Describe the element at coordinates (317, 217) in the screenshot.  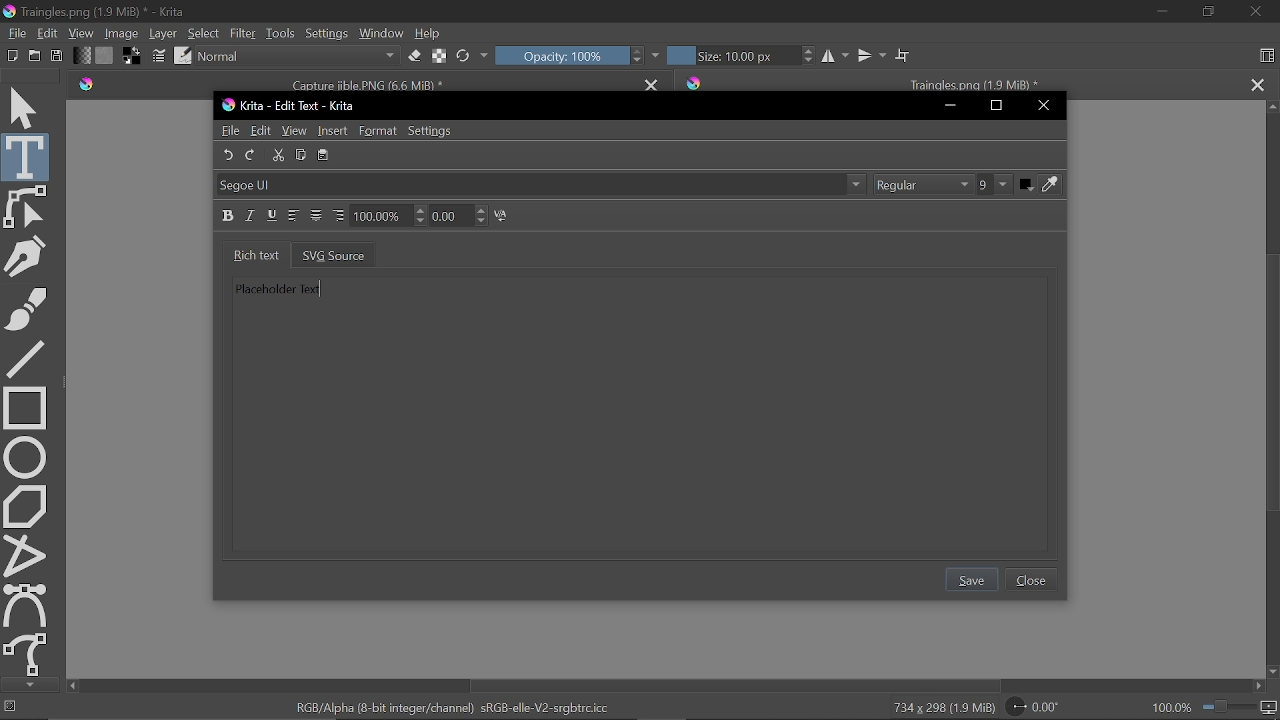
I see `Align center` at that location.